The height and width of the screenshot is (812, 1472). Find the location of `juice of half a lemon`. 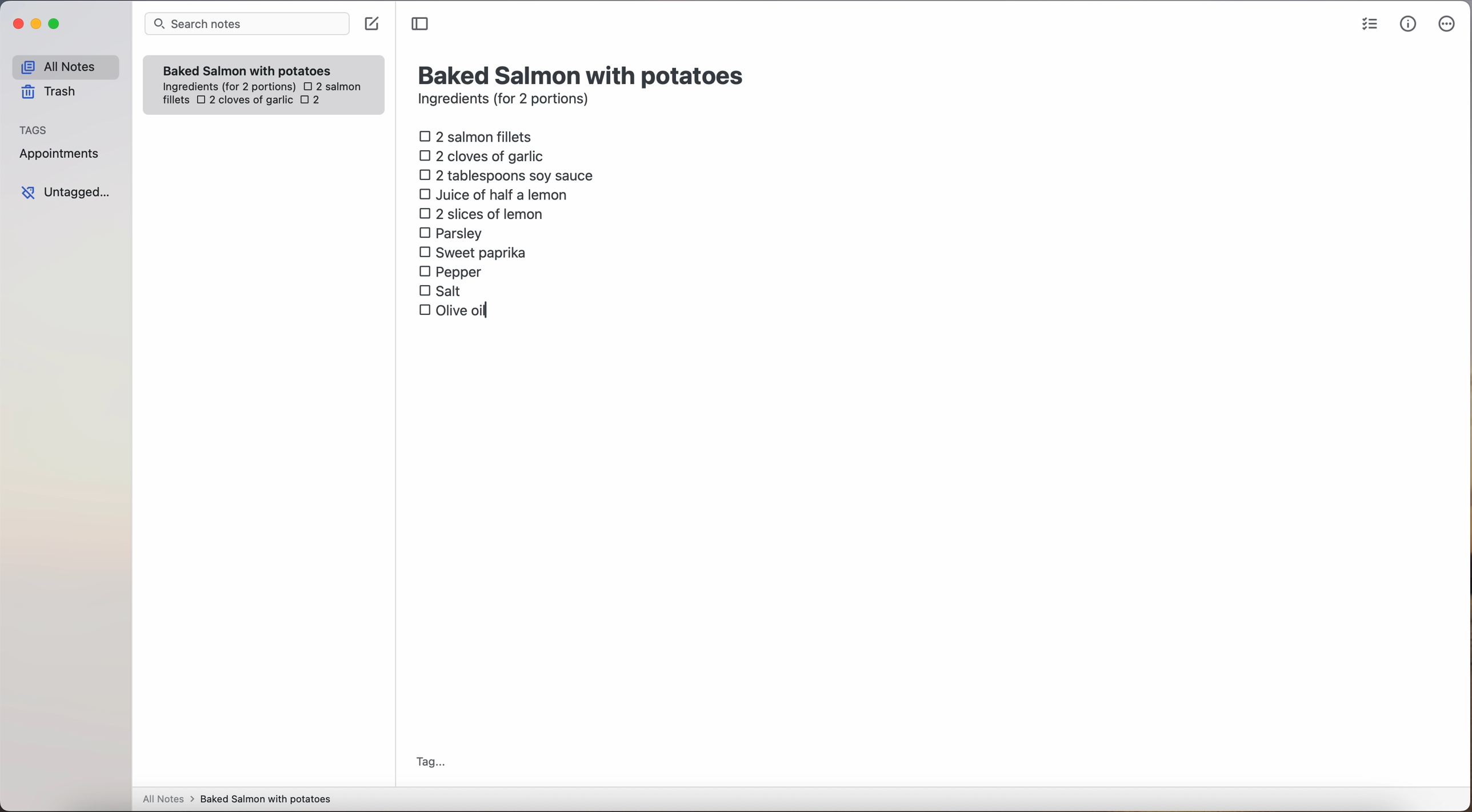

juice of half a lemon is located at coordinates (497, 194).